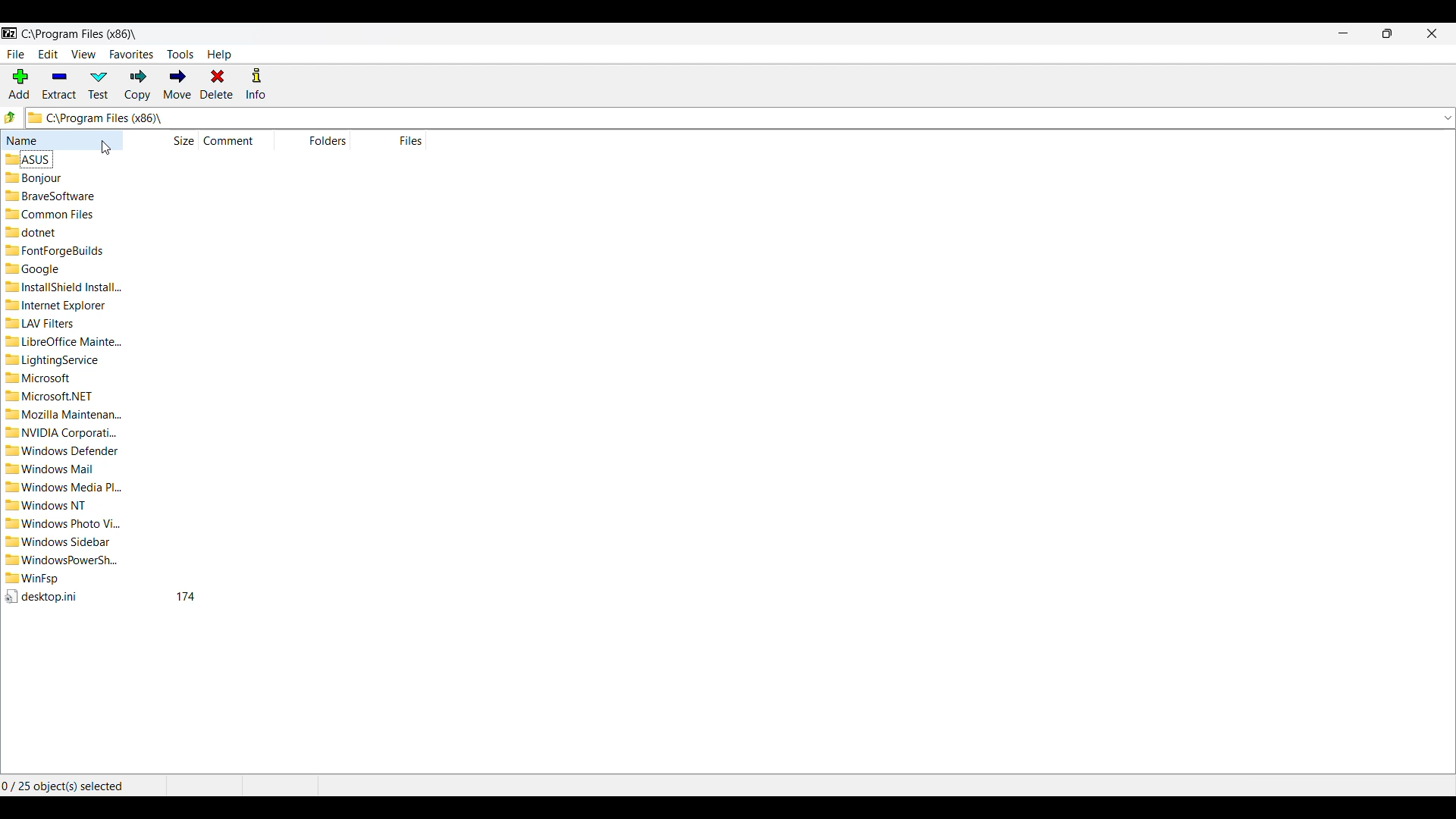 The height and width of the screenshot is (819, 1456). Describe the element at coordinates (42, 322) in the screenshot. I see `LAV Filters` at that location.